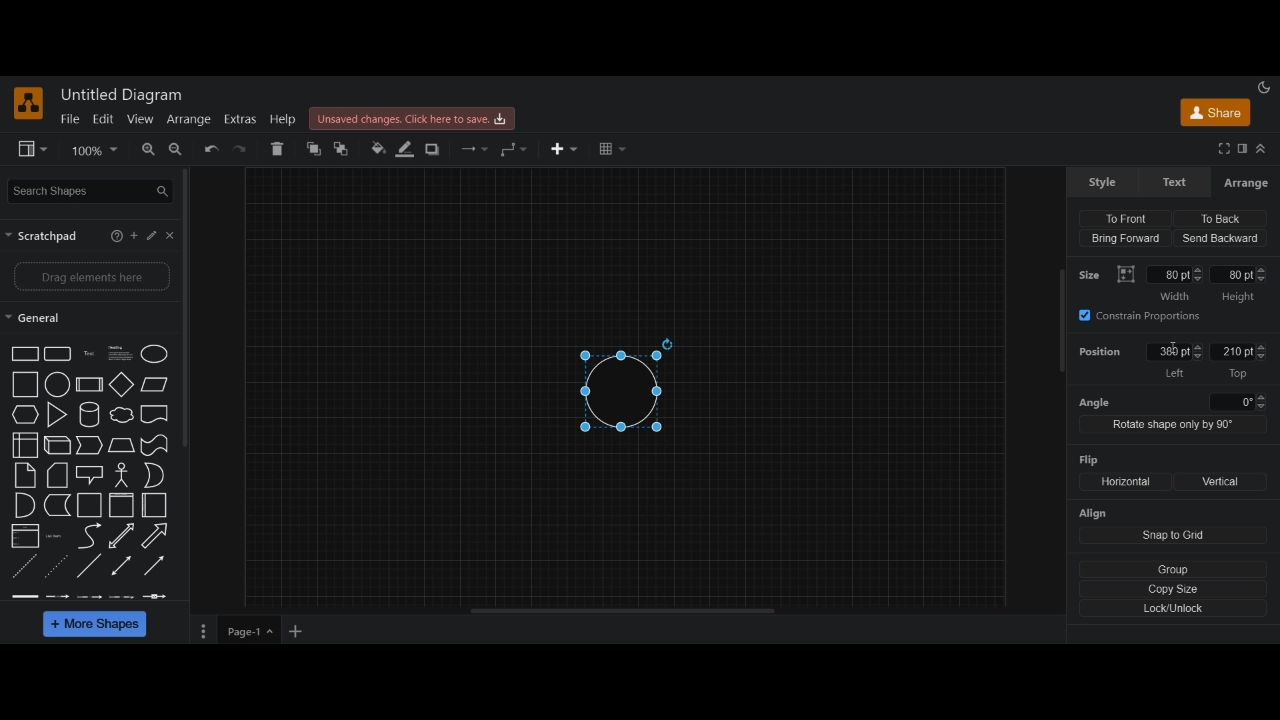 The width and height of the screenshot is (1280, 720). I want to click on zoom out, so click(177, 151).